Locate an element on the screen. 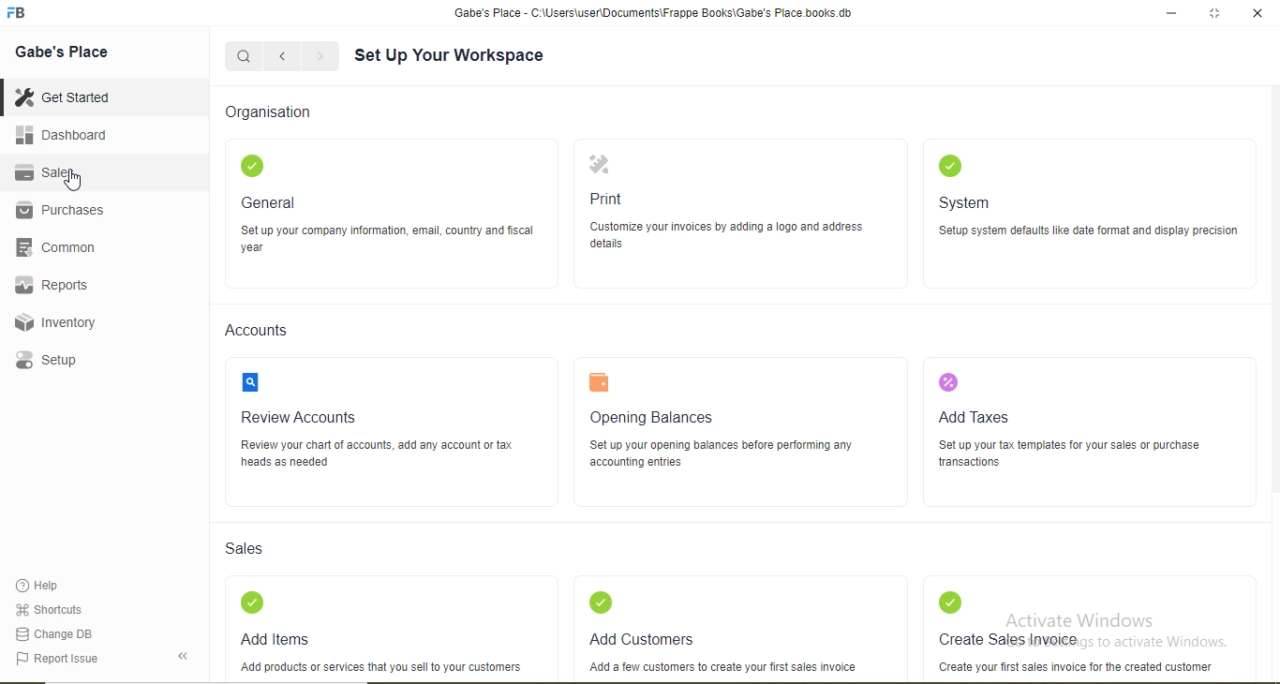 This screenshot has height=684, width=1280. ‘Customgze your invoices by adding a logo and address
detais is located at coordinates (725, 236).